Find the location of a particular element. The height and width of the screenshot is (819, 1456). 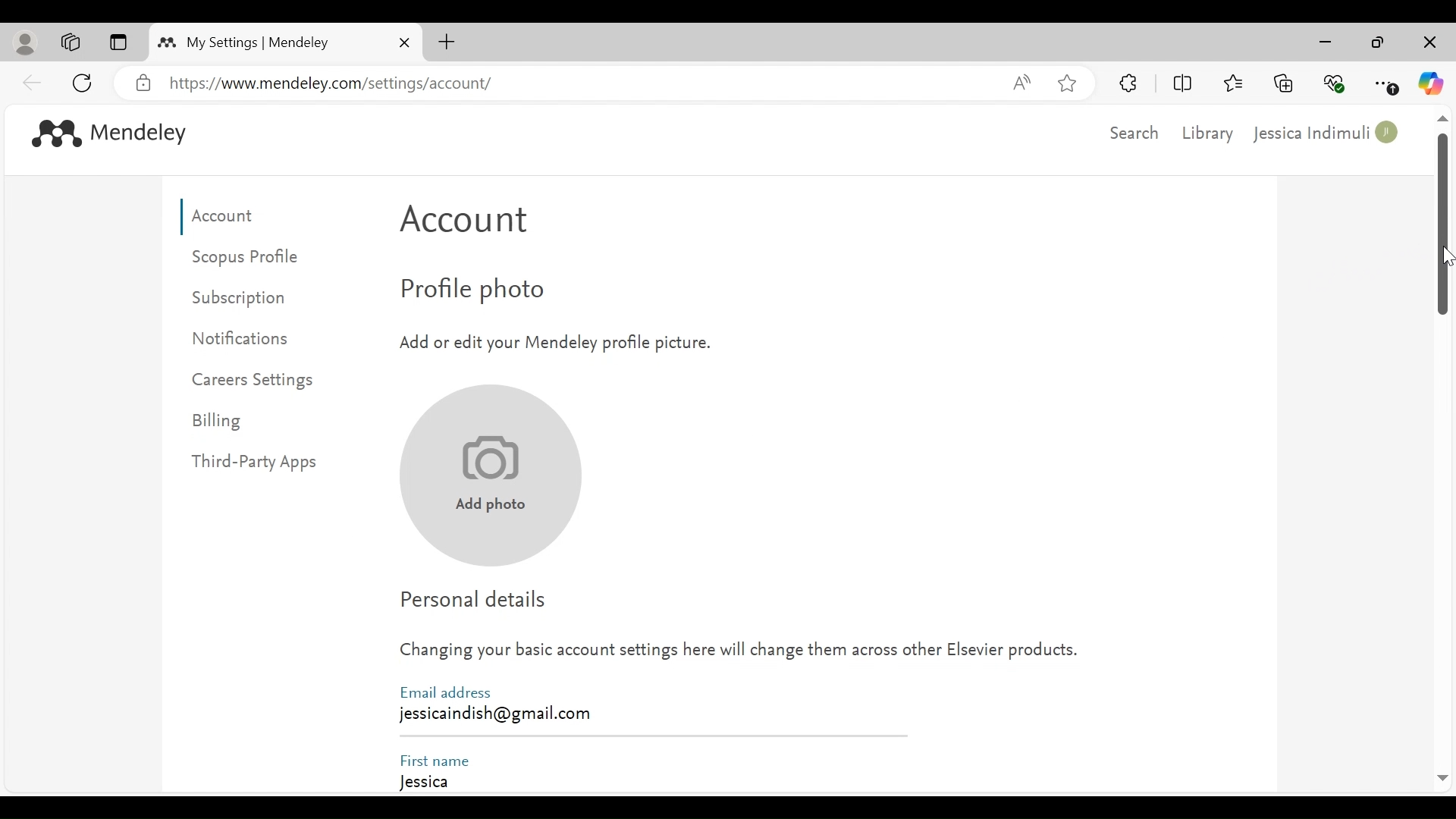

Vertical Scroll bar is located at coordinates (1443, 227).